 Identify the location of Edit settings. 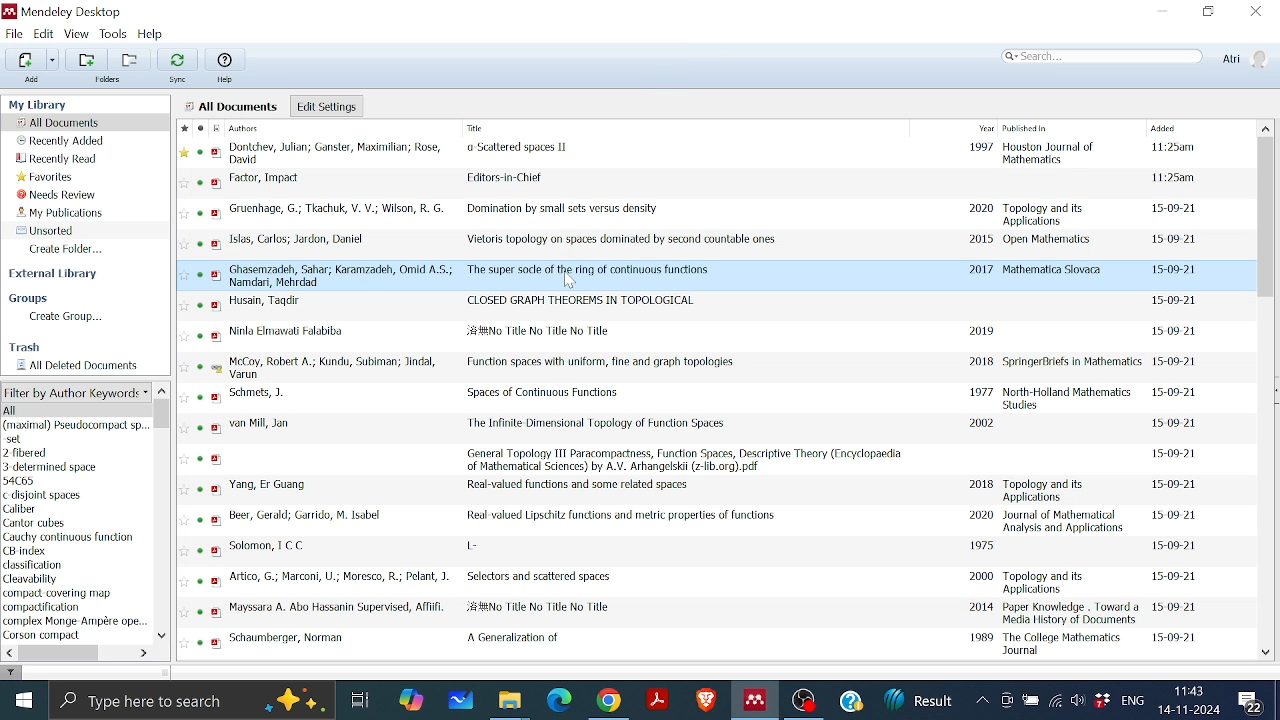
(325, 105).